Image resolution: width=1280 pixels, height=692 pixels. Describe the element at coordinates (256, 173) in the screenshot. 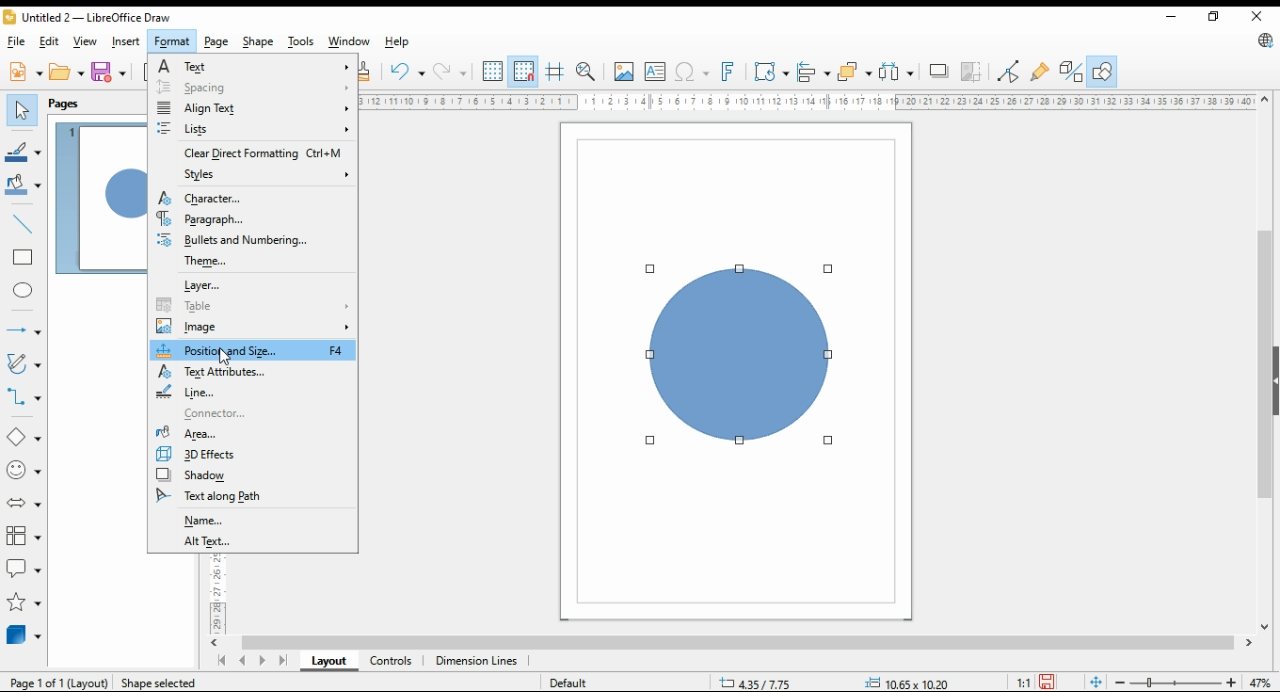

I see `styles` at that location.